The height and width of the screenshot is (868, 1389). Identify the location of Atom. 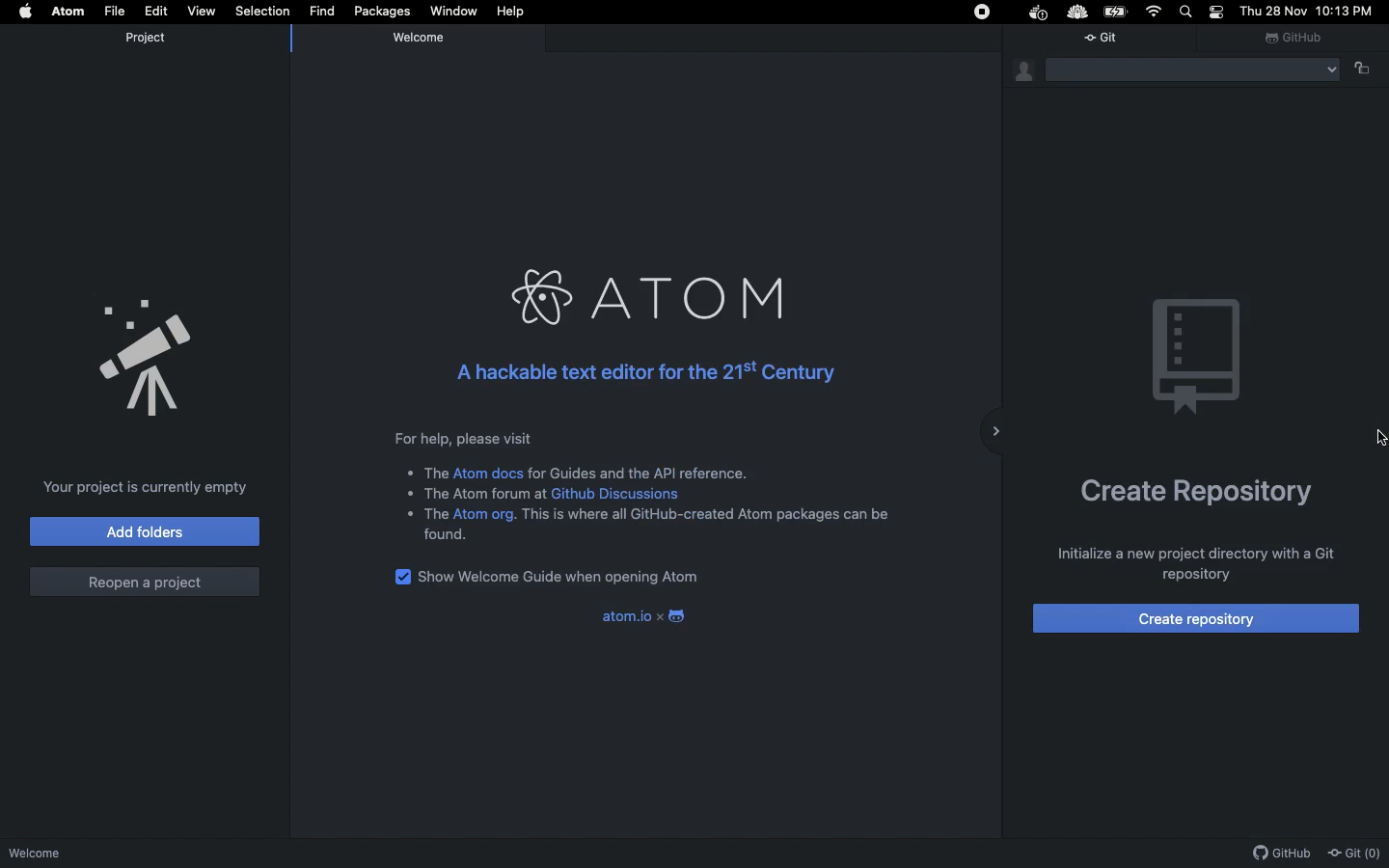
(68, 12).